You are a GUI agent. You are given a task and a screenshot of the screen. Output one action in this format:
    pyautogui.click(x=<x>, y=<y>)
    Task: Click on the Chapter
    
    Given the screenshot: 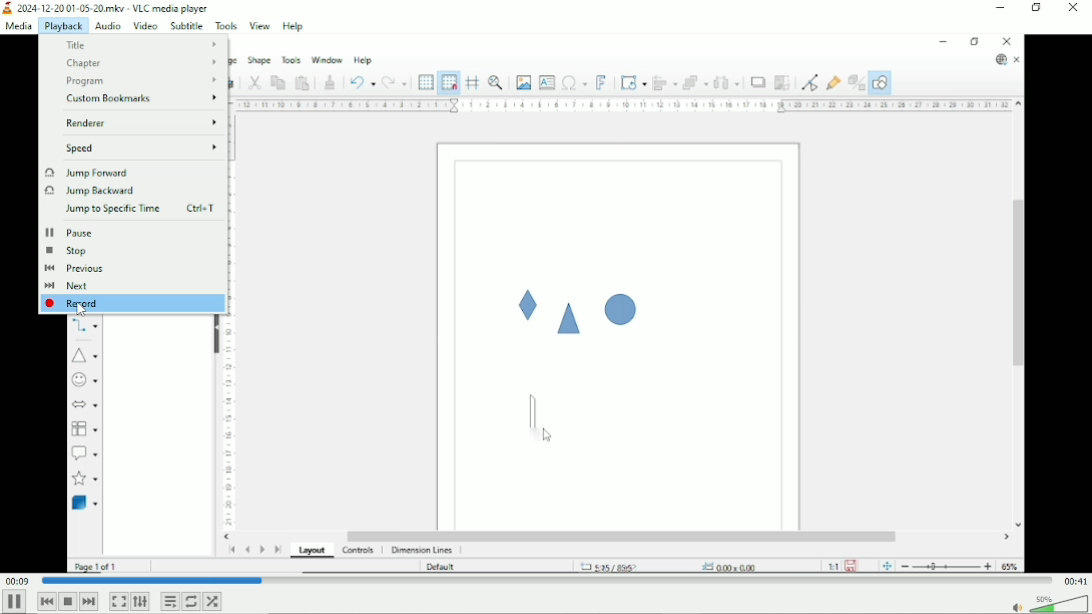 What is the action you would take?
    pyautogui.click(x=141, y=62)
    